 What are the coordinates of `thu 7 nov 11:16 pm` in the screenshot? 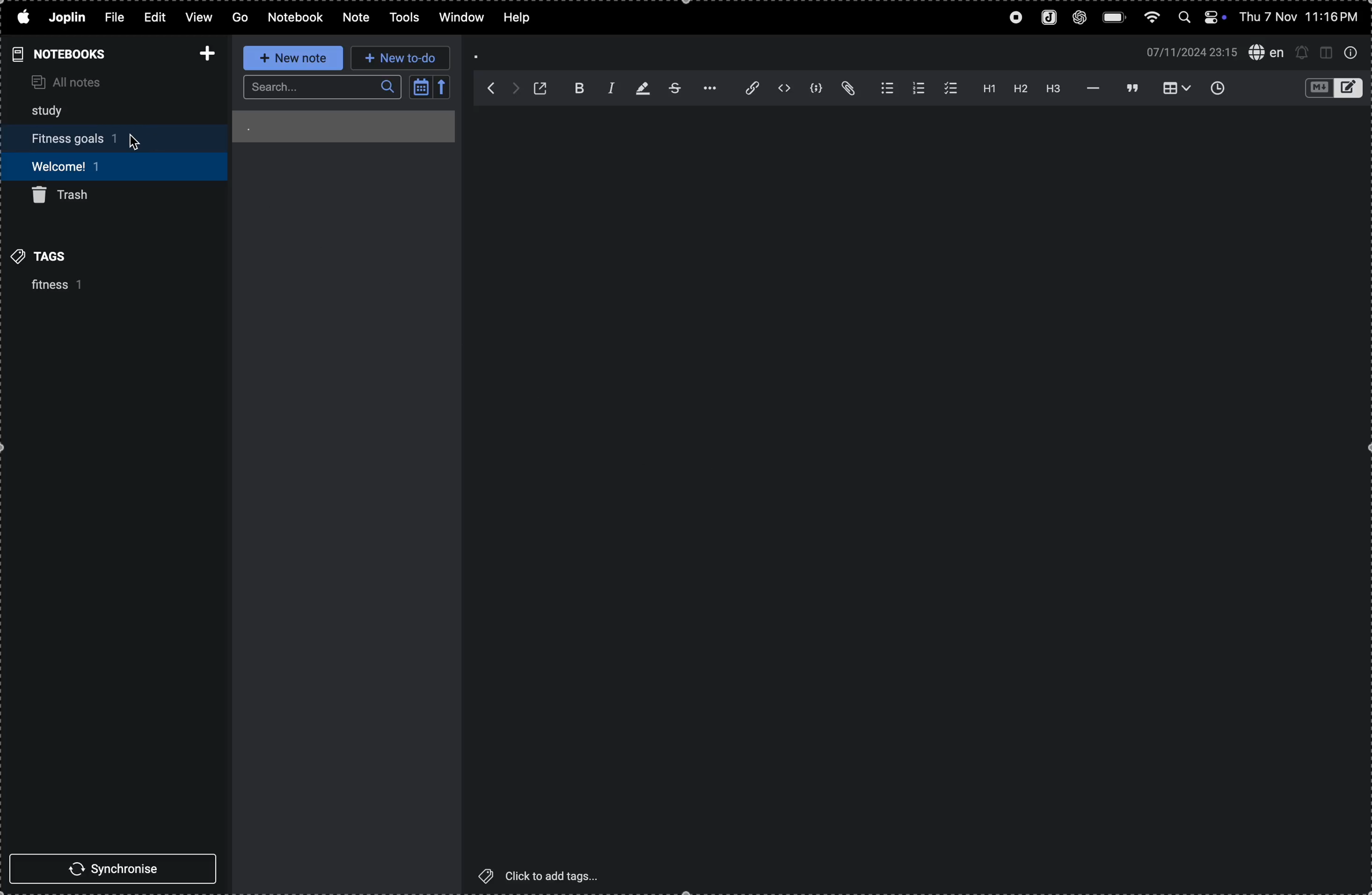 It's located at (1304, 17).